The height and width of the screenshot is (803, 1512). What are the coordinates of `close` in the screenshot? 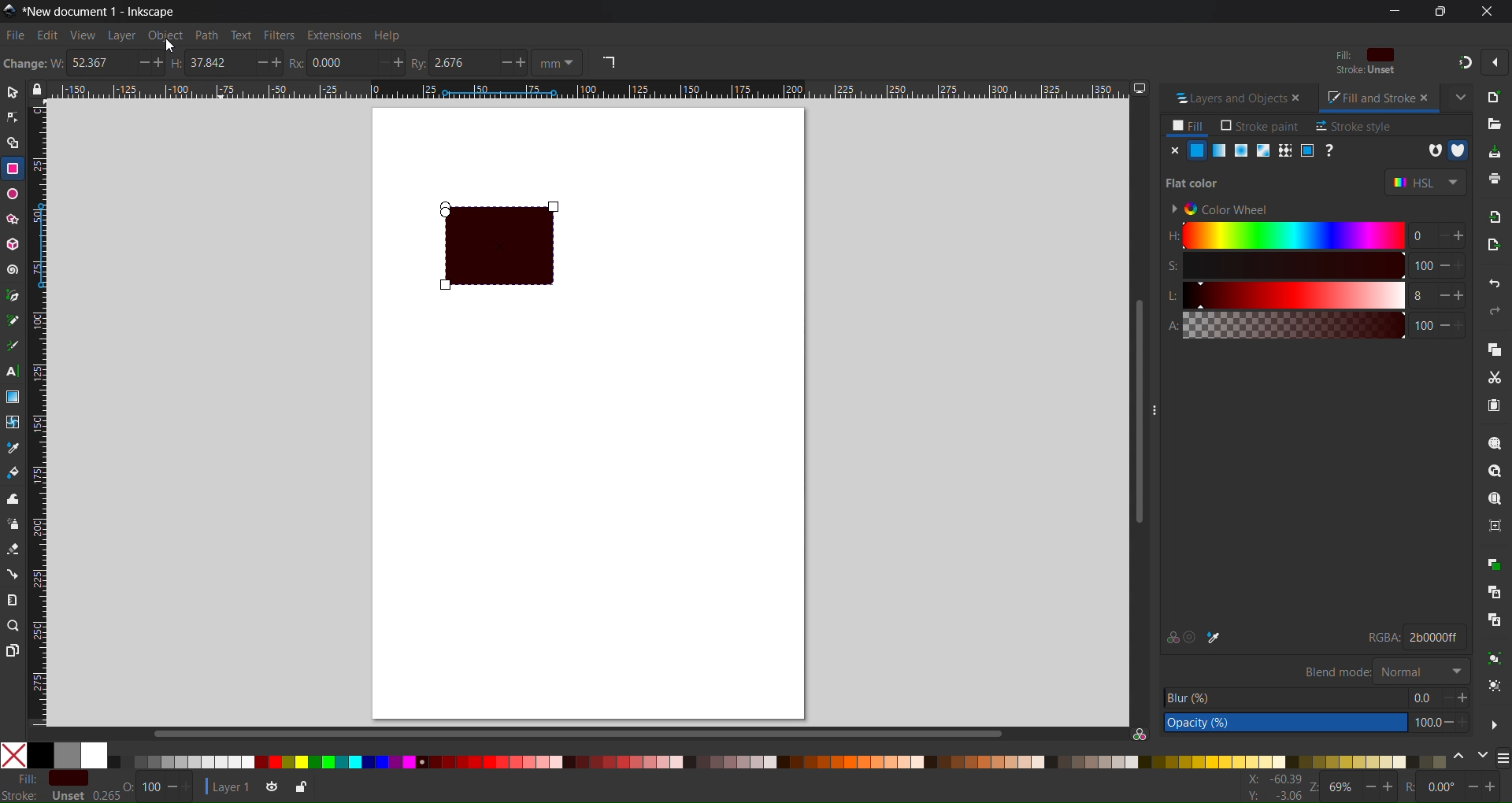 It's located at (1425, 97).